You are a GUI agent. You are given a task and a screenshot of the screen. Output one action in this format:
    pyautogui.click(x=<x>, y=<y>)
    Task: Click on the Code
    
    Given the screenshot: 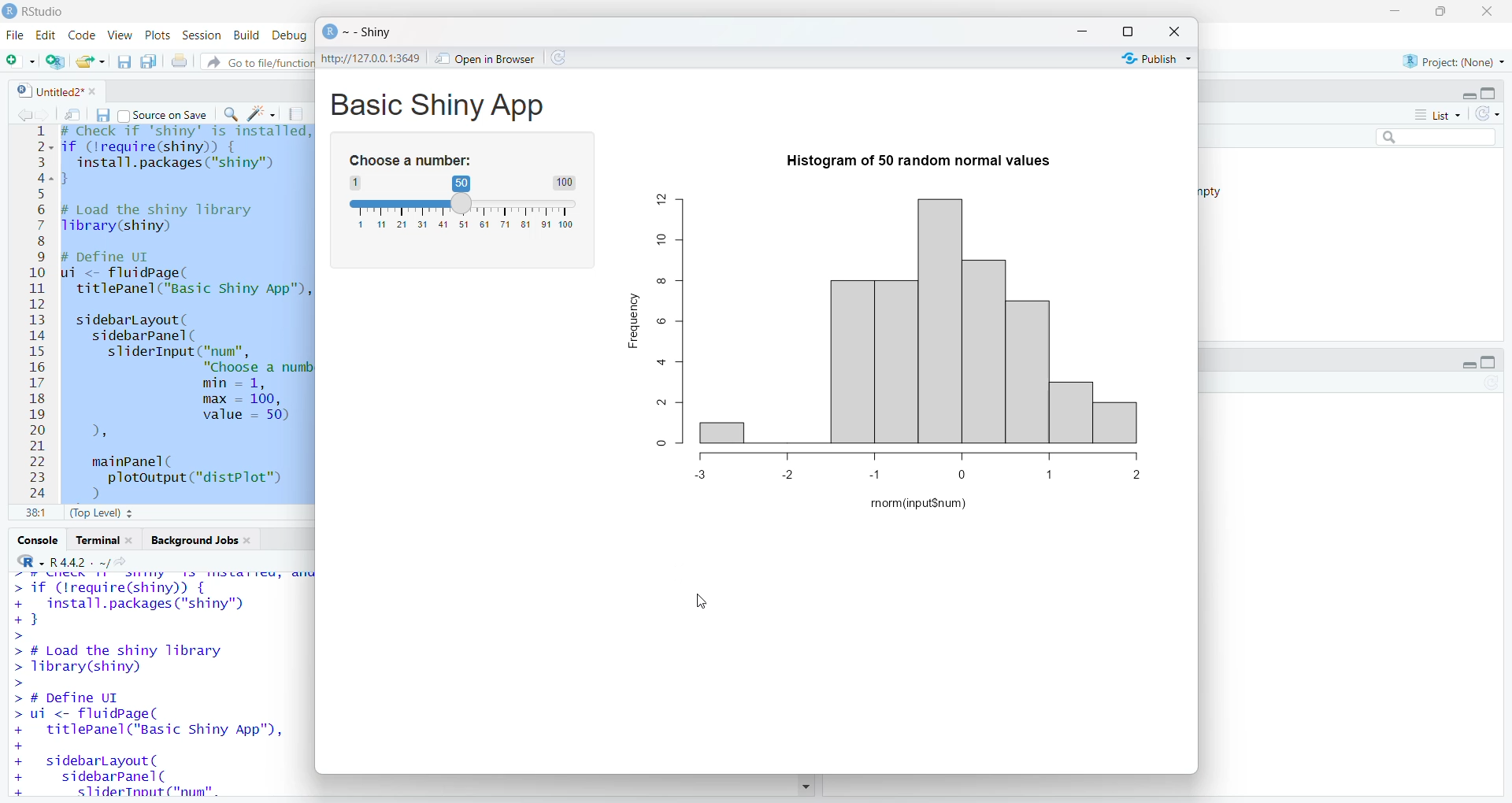 What is the action you would take?
    pyautogui.click(x=83, y=35)
    